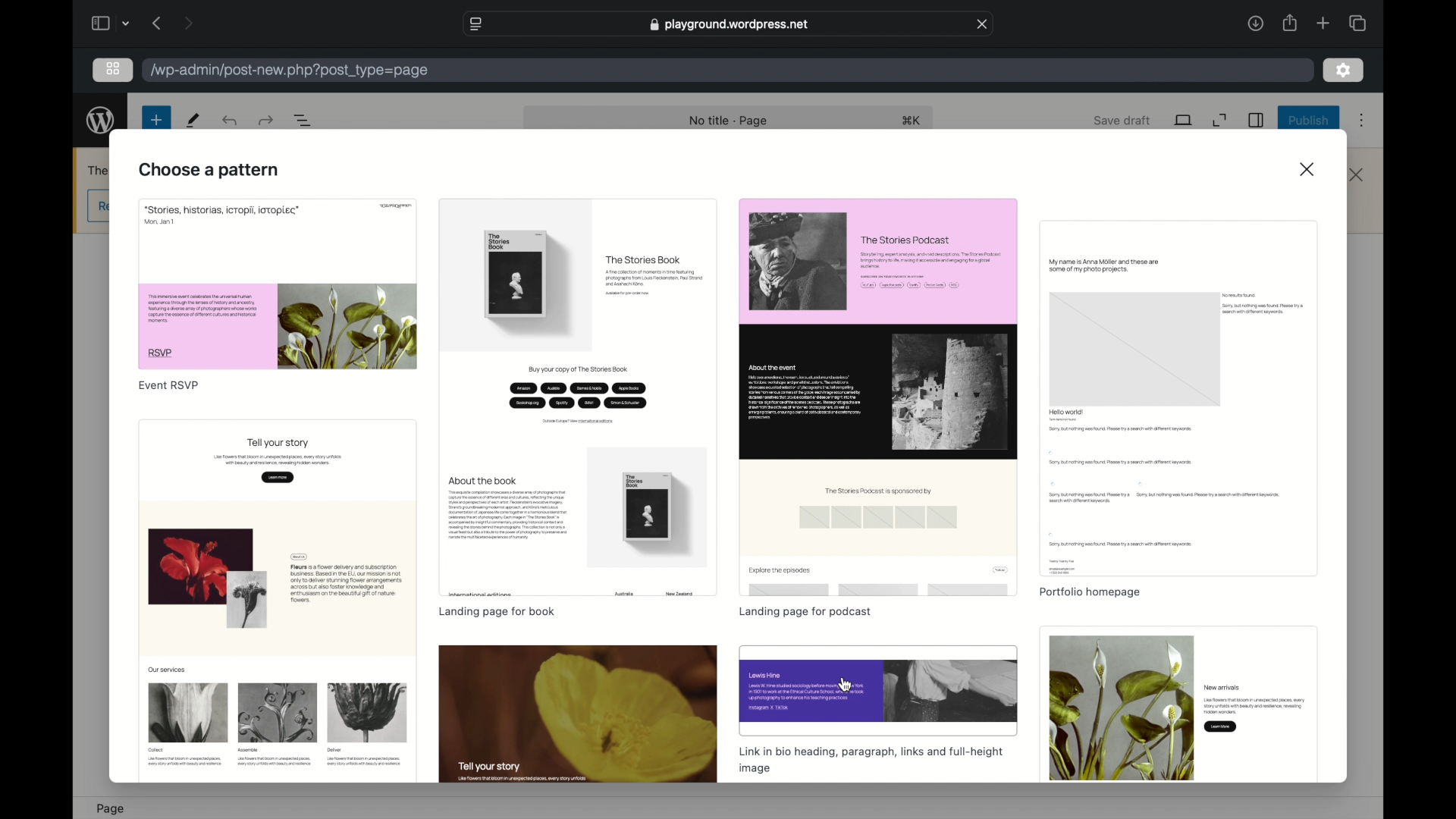 The image size is (1456, 819). I want to click on obscure text, so click(99, 168).